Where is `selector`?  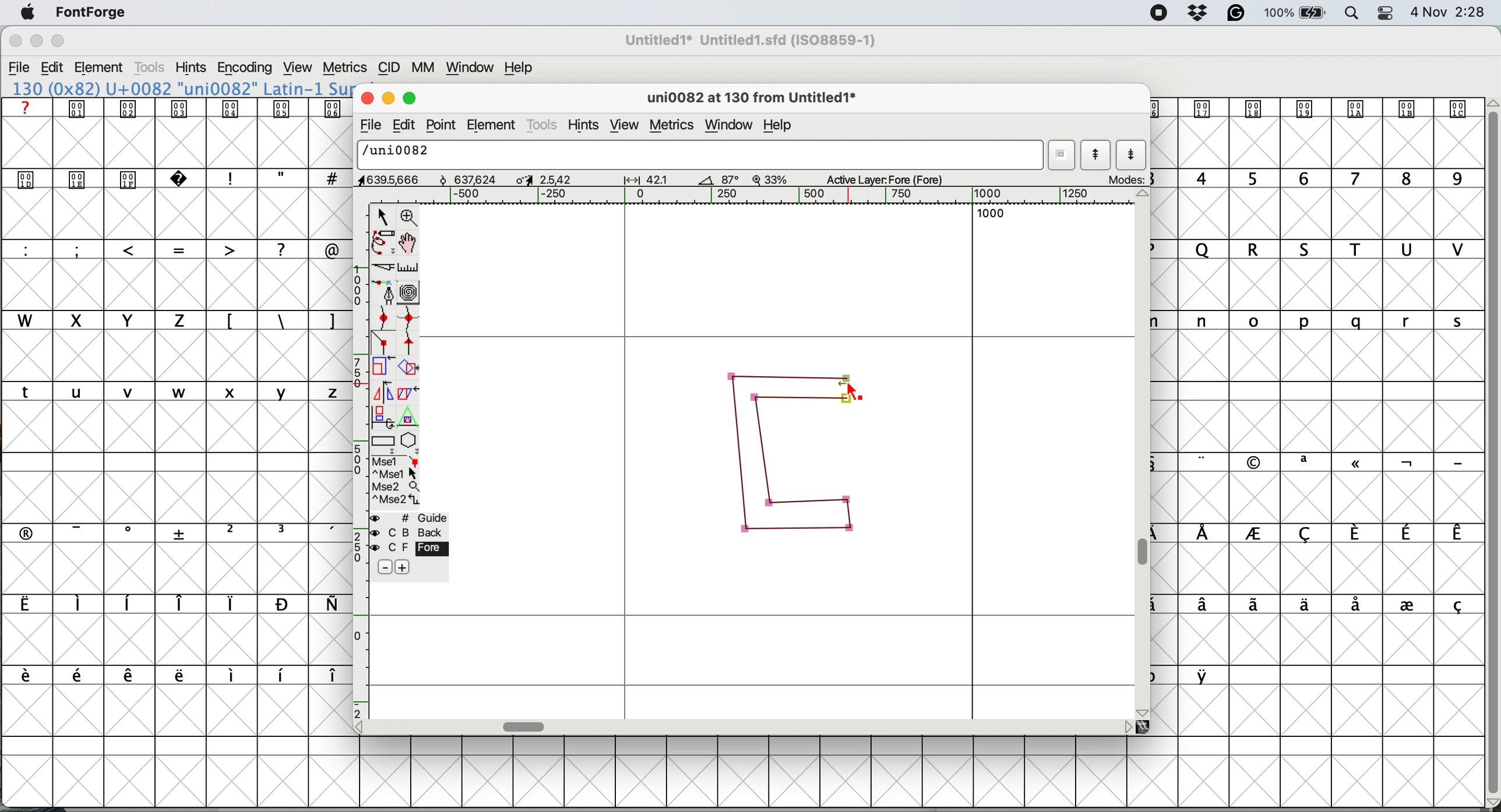
selector is located at coordinates (382, 218).